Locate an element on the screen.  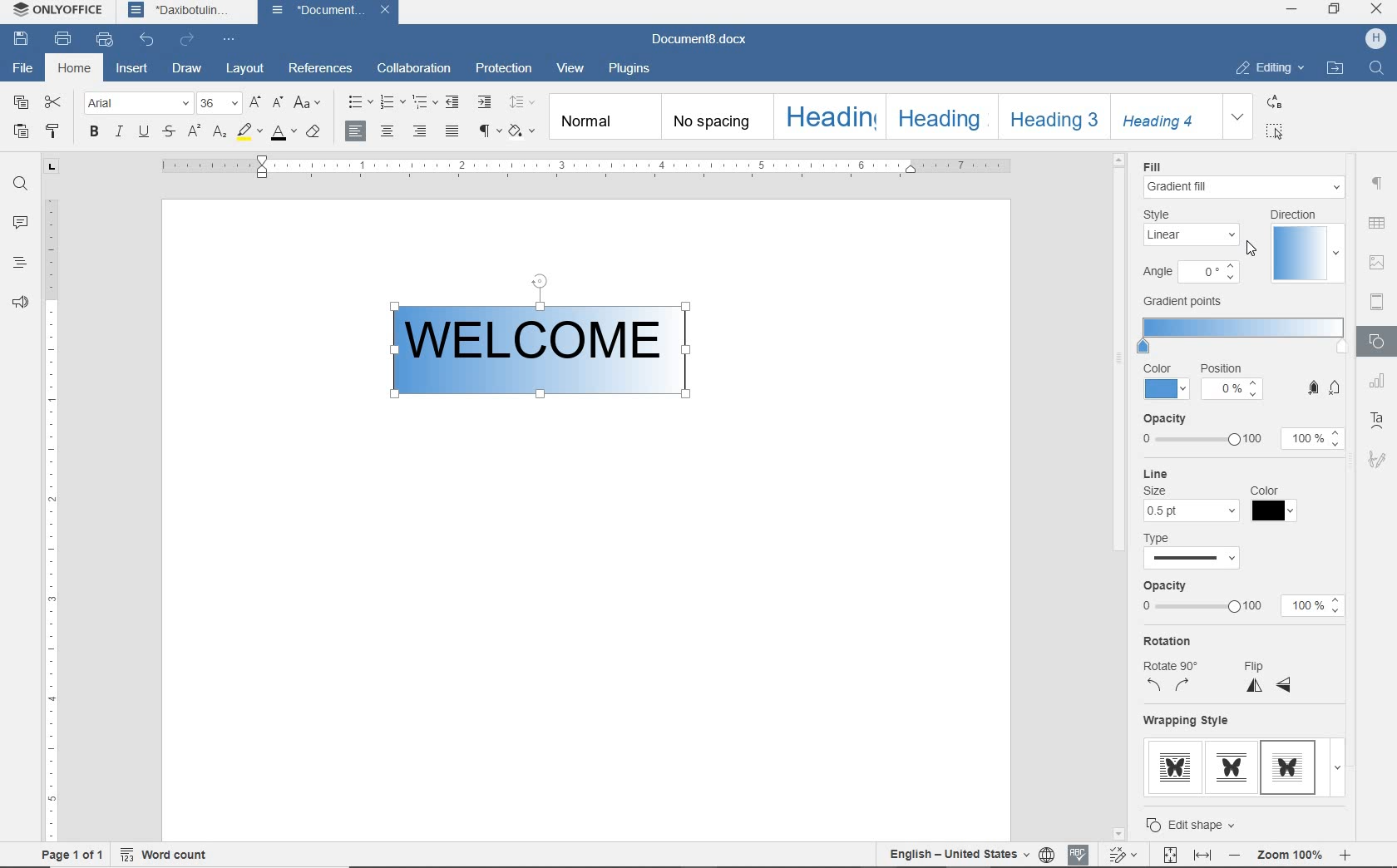
TAB STOP is located at coordinates (51, 168).